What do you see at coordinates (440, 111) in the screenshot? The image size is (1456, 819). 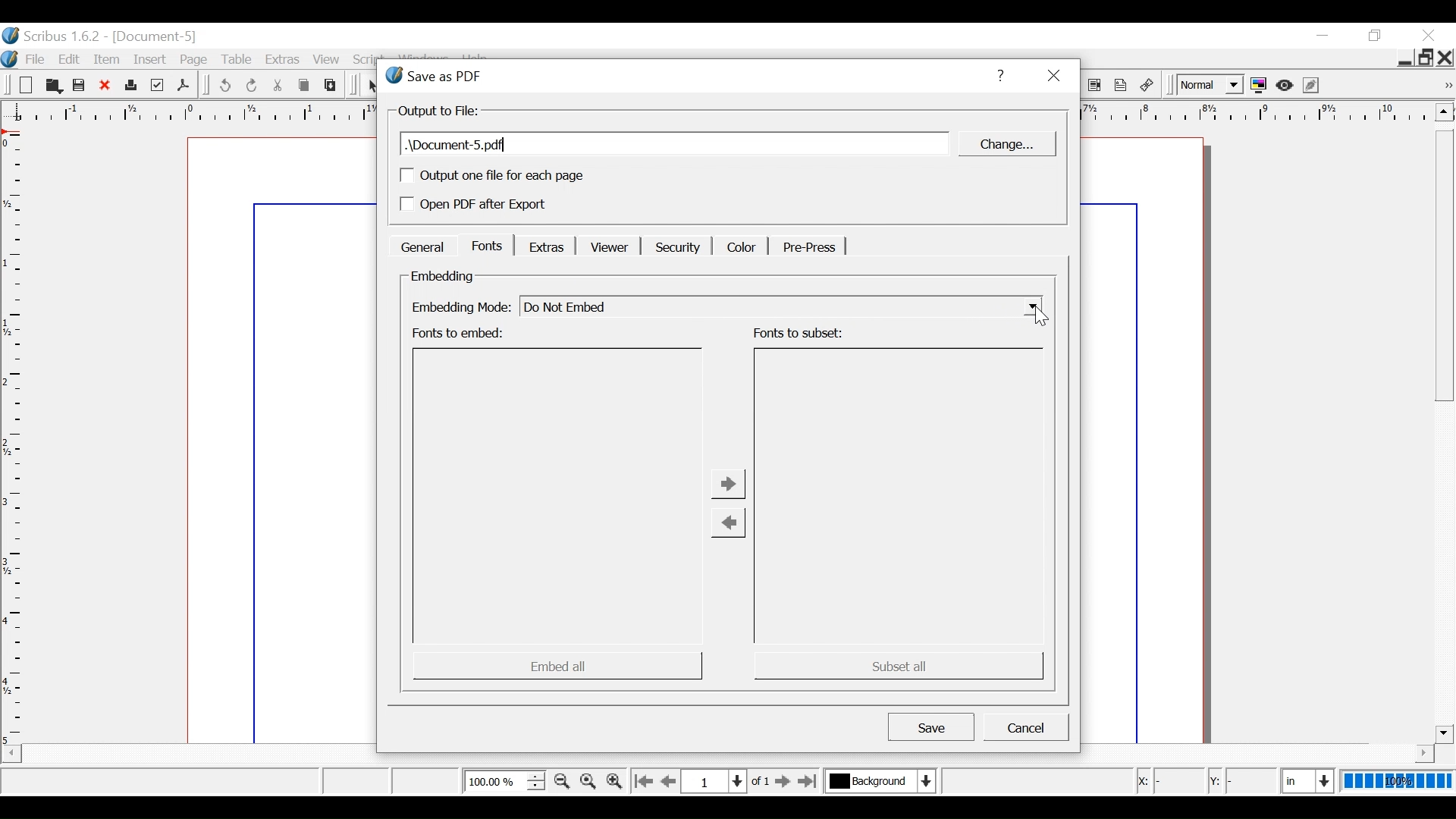 I see `Output of file` at bounding box center [440, 111].